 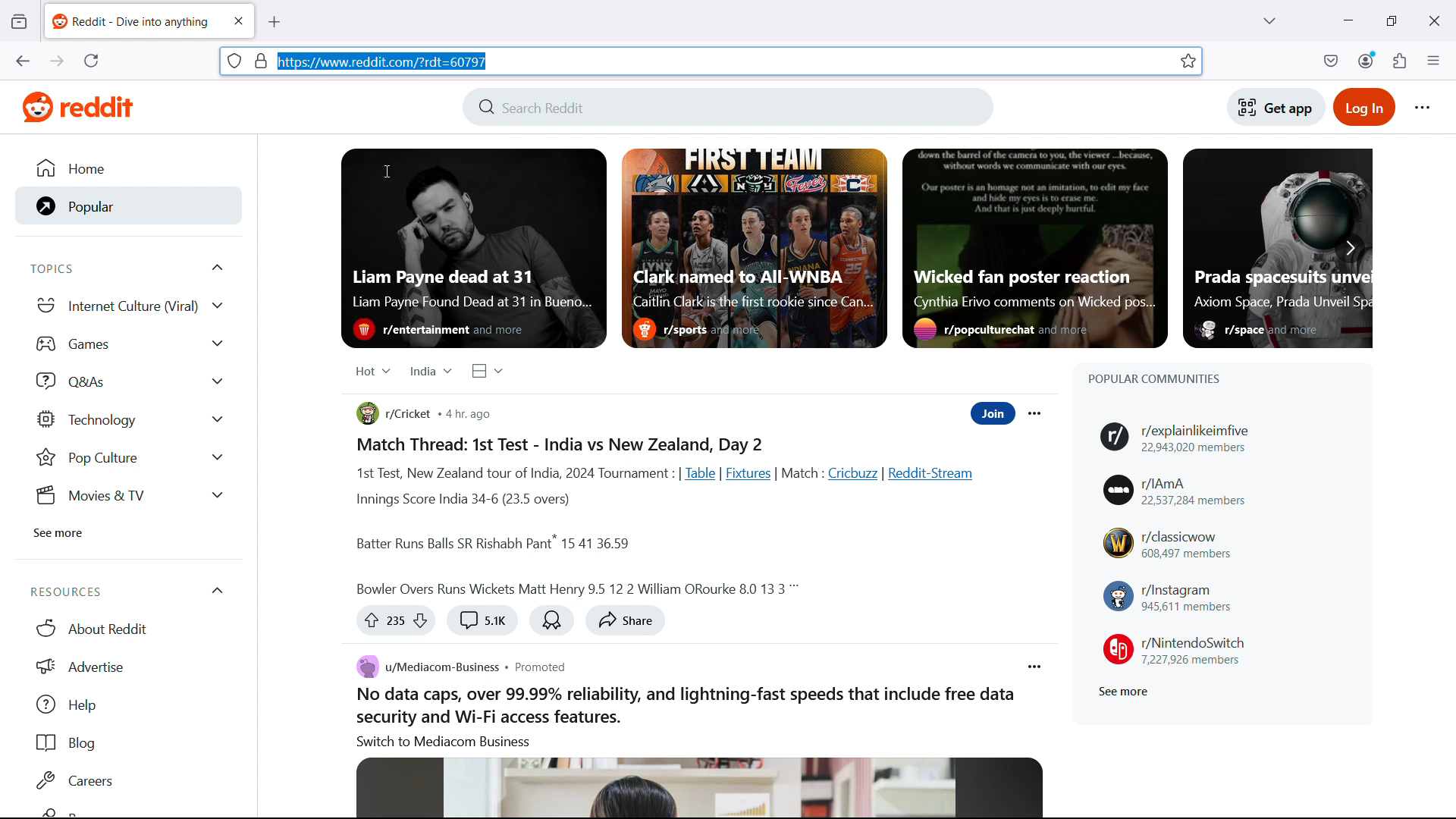 I want to click on r/classicwow, so click(x=1169, y=544).